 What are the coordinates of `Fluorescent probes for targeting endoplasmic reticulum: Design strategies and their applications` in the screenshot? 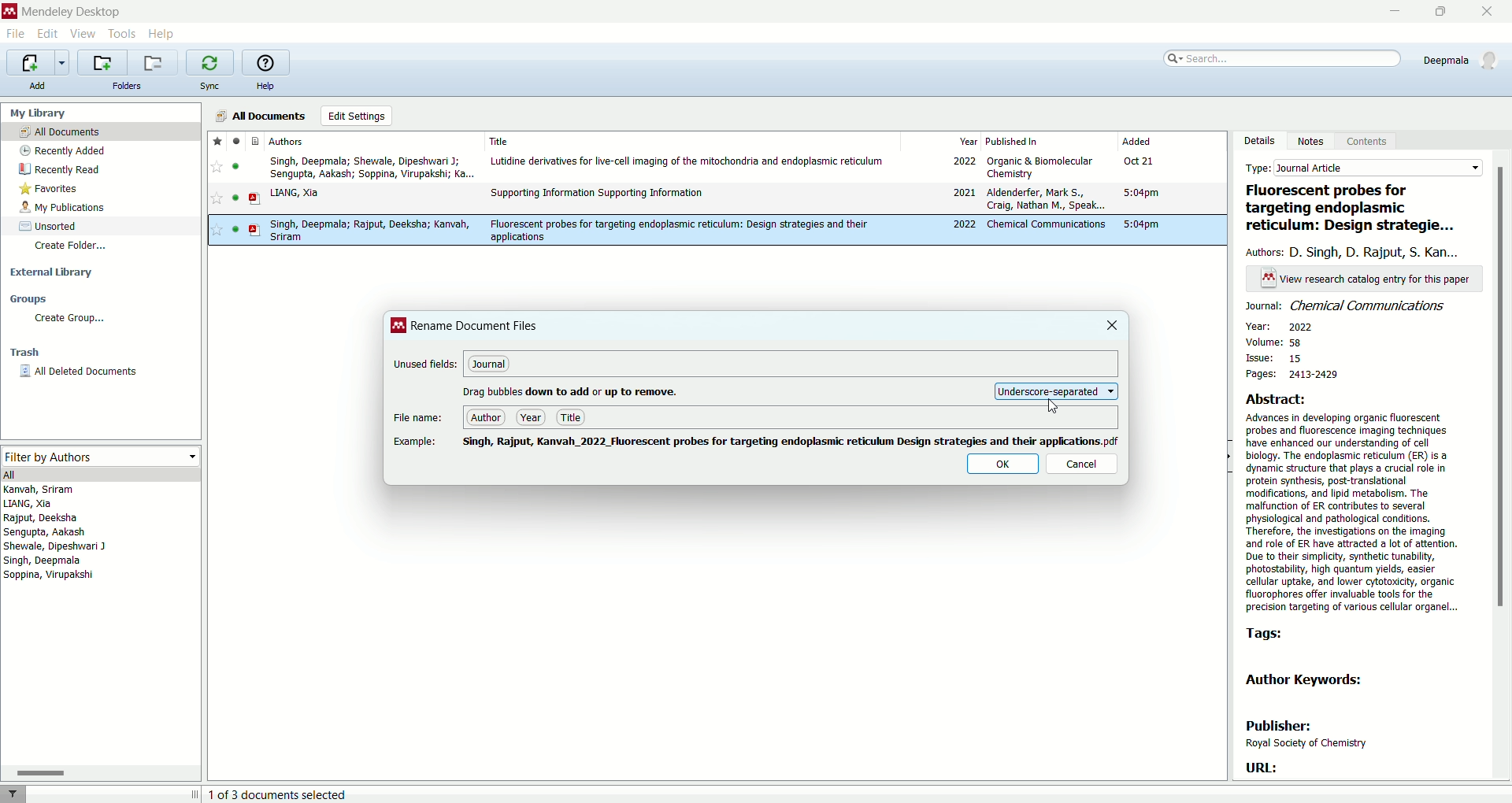 It's located at (680, 230).